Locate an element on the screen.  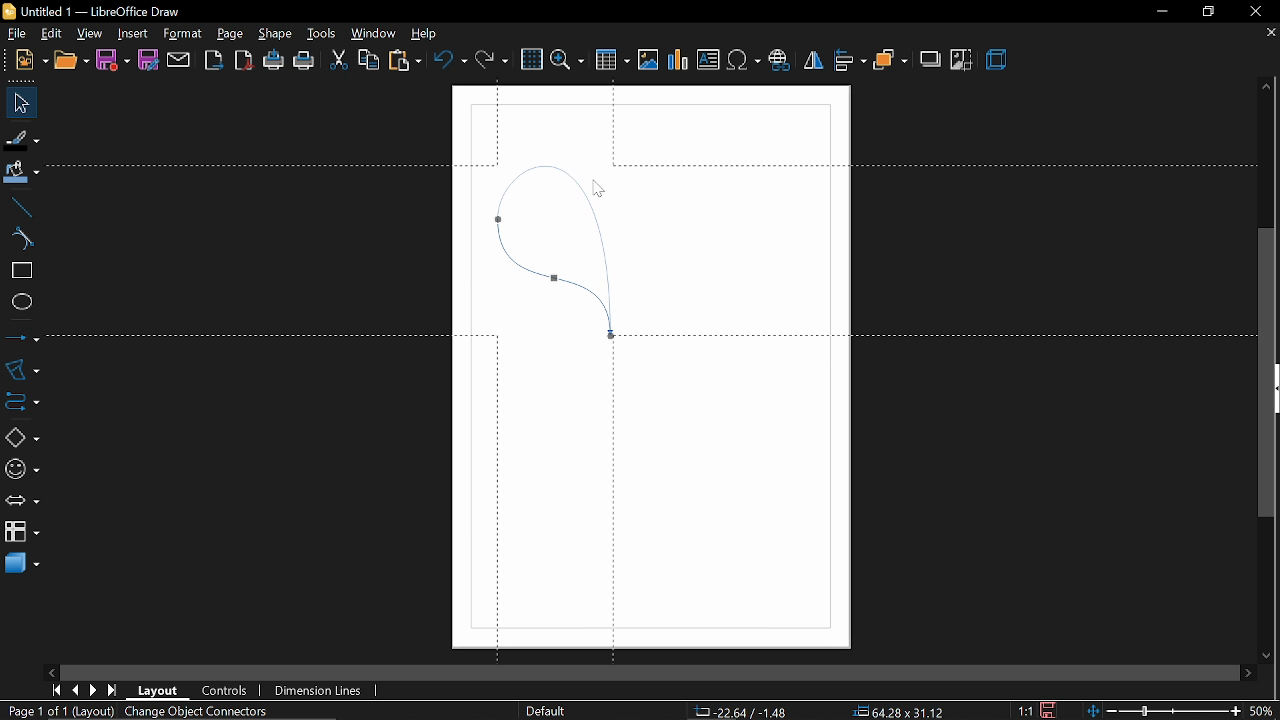
flowchart is located at coordinates (22, 533).